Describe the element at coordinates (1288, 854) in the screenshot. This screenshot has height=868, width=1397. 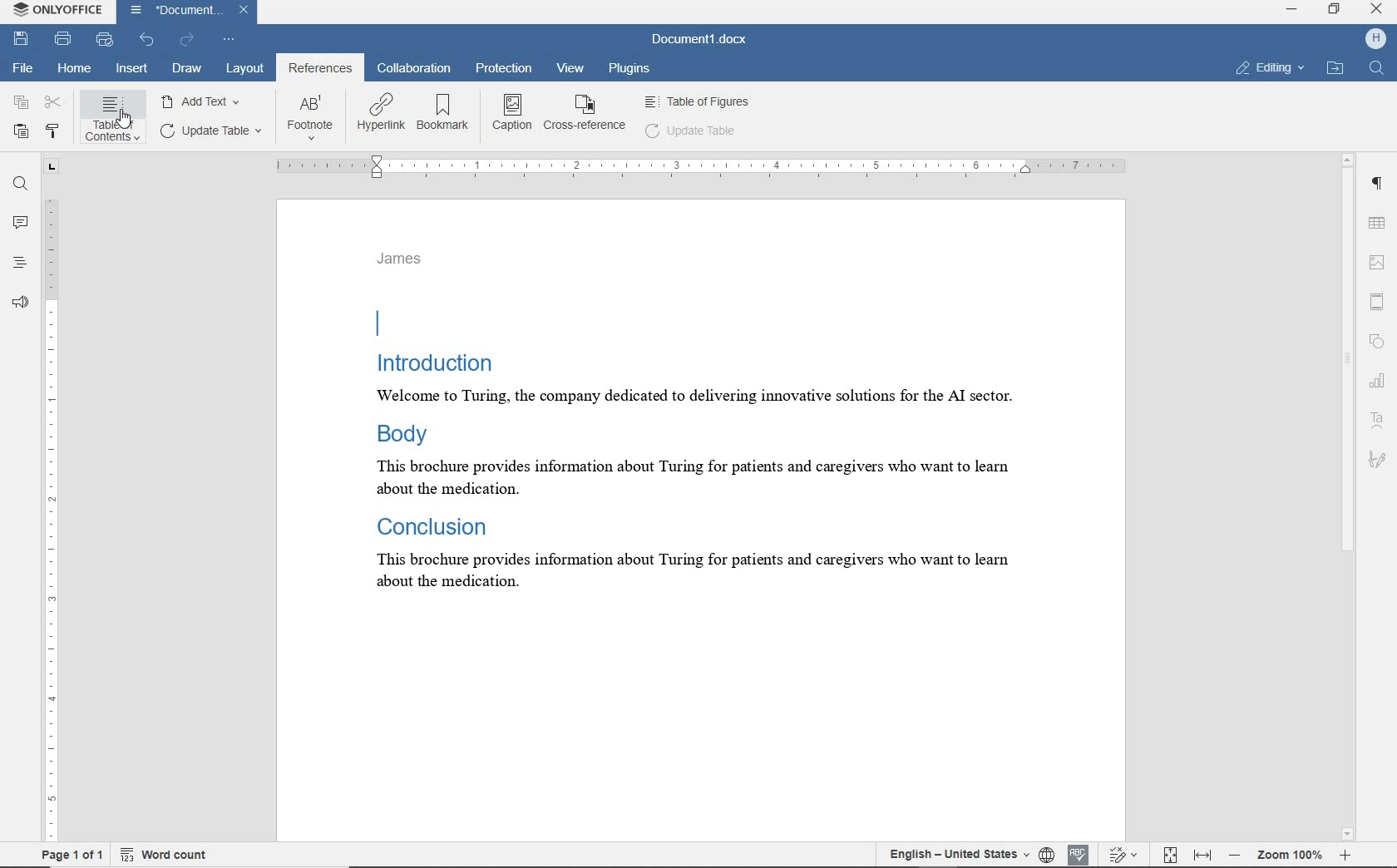
I see `zoom out or zoom in` at that location.